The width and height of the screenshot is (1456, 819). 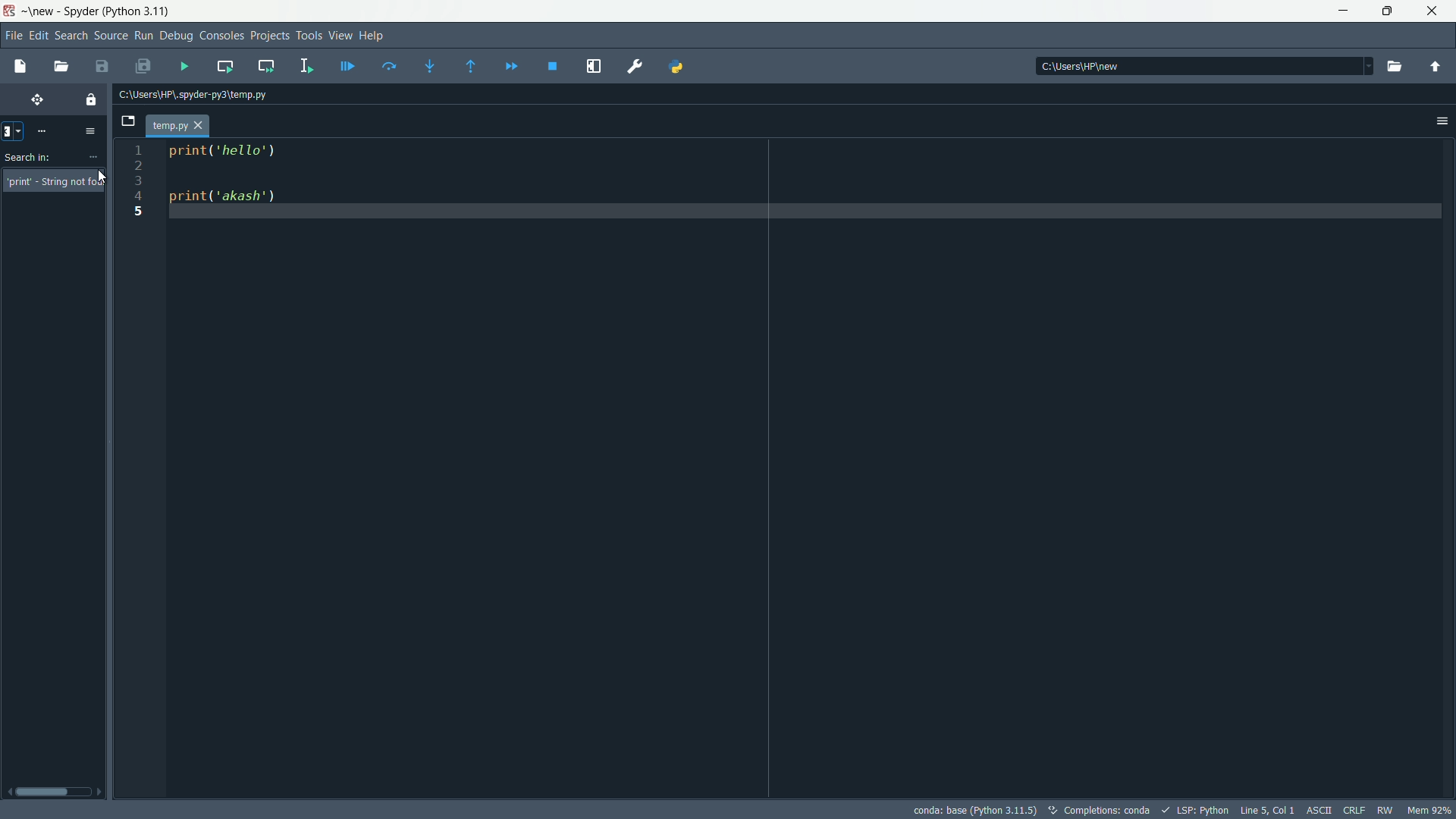 I want to click on save file, so click(x=101, y=67).